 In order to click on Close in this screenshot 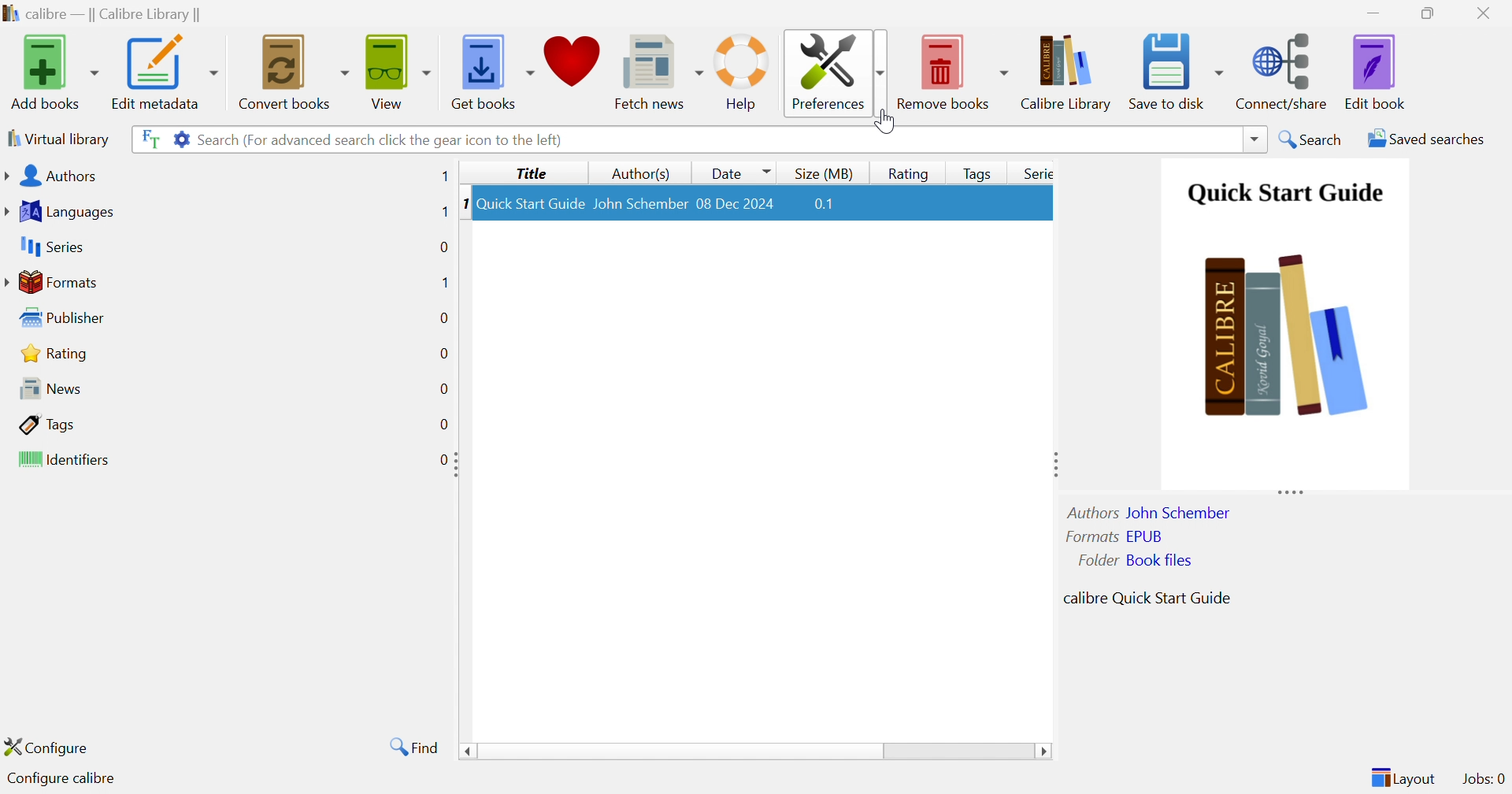, I will do `click(1488, 13)`.